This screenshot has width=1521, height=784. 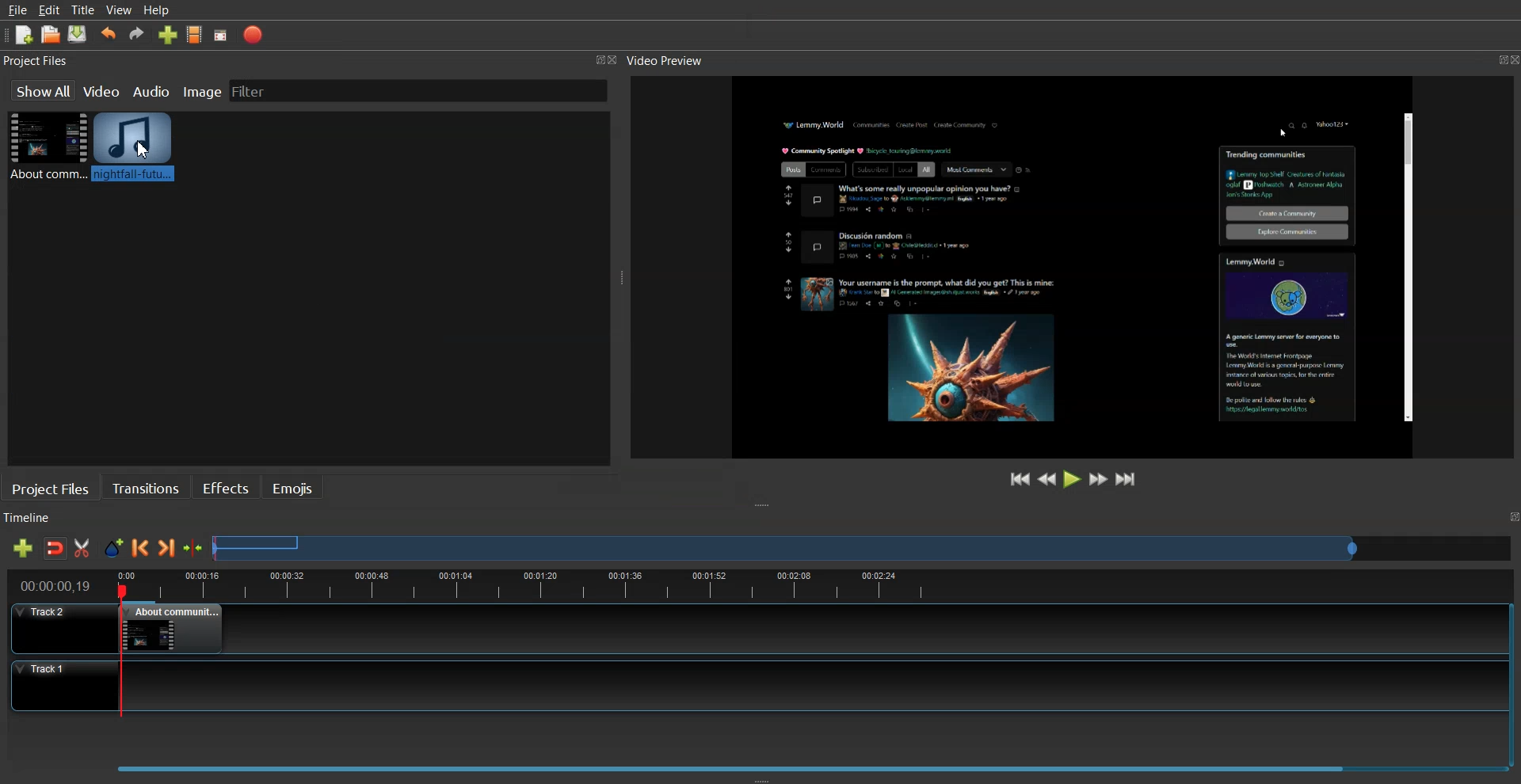 I want to click on Audio Clip added, so click(x=133, y=149).